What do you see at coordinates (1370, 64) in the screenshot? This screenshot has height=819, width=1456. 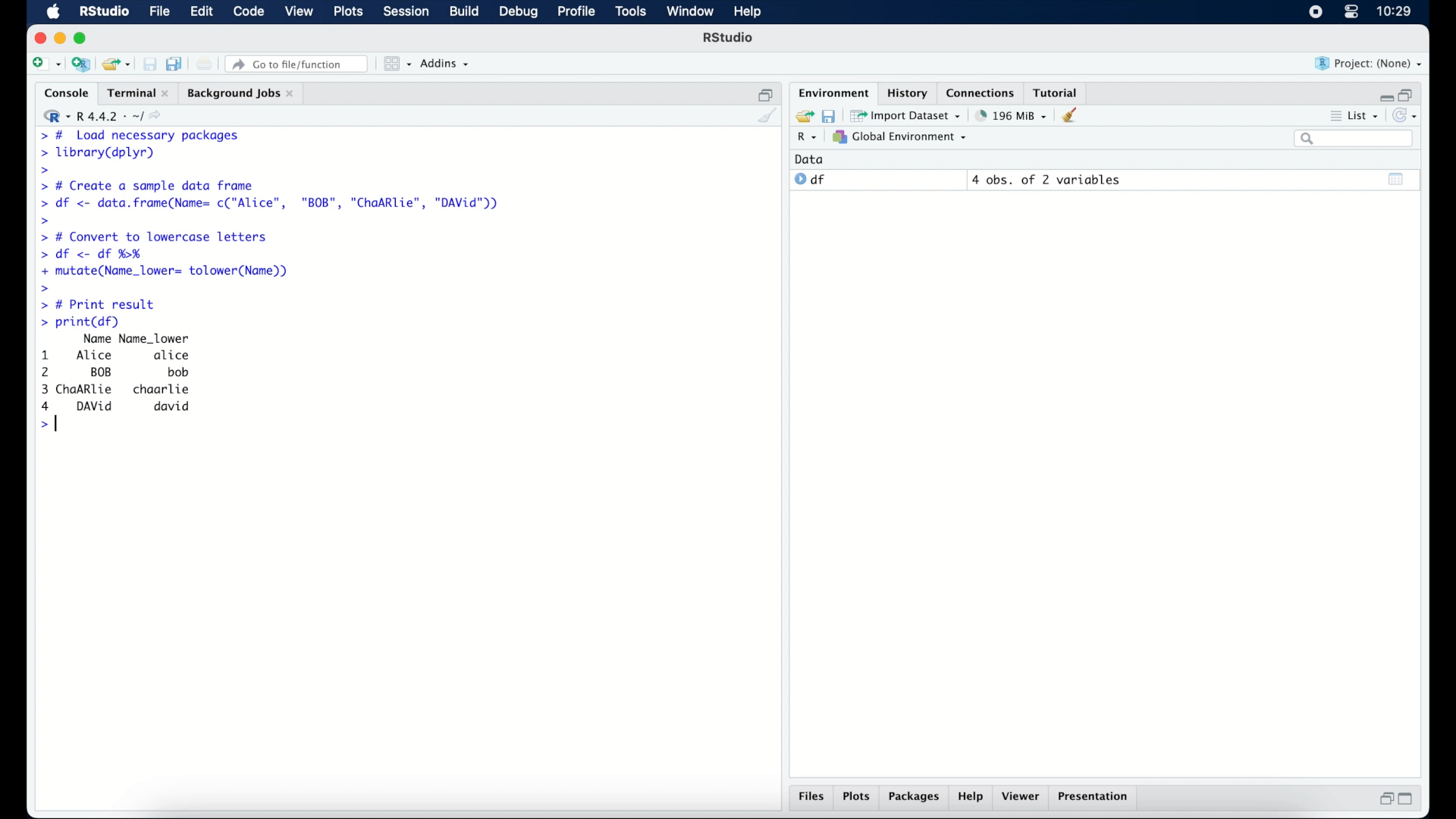 I see `project (none)` at bounding box center [1370, 64].